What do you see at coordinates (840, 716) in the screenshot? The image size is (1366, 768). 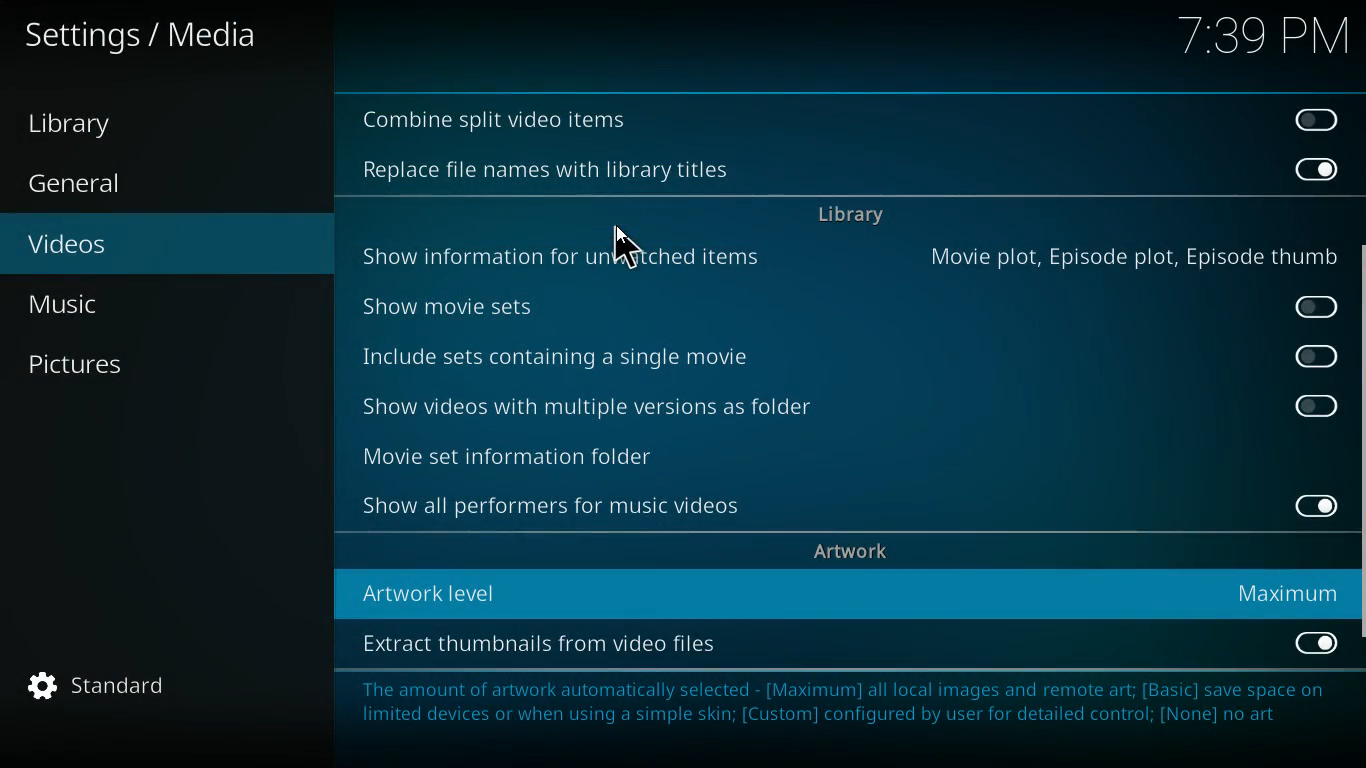 I see `message` at bounding box center [840, 716].